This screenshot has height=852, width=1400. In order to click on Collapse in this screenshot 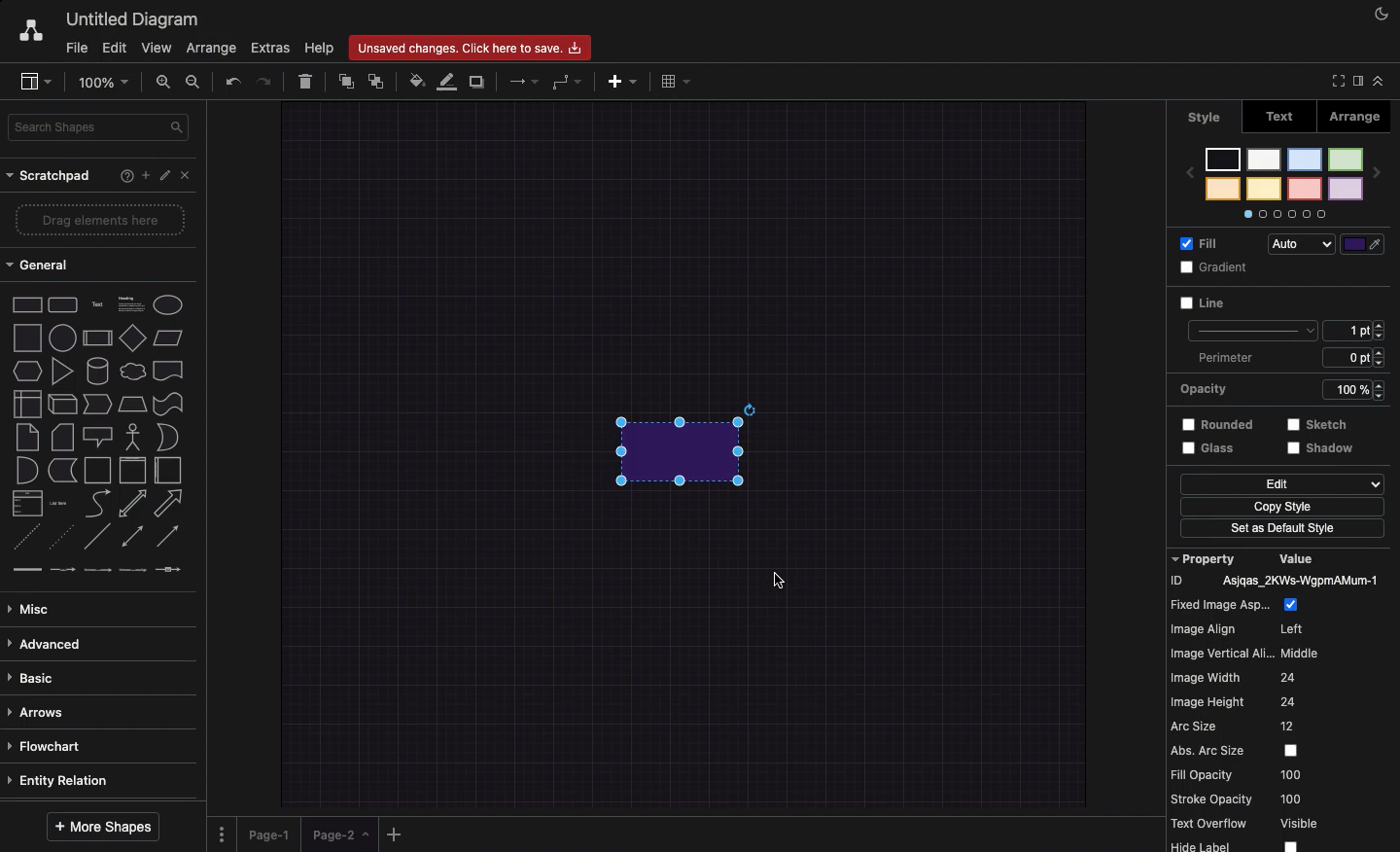, I will do `click(1379, 80)`.